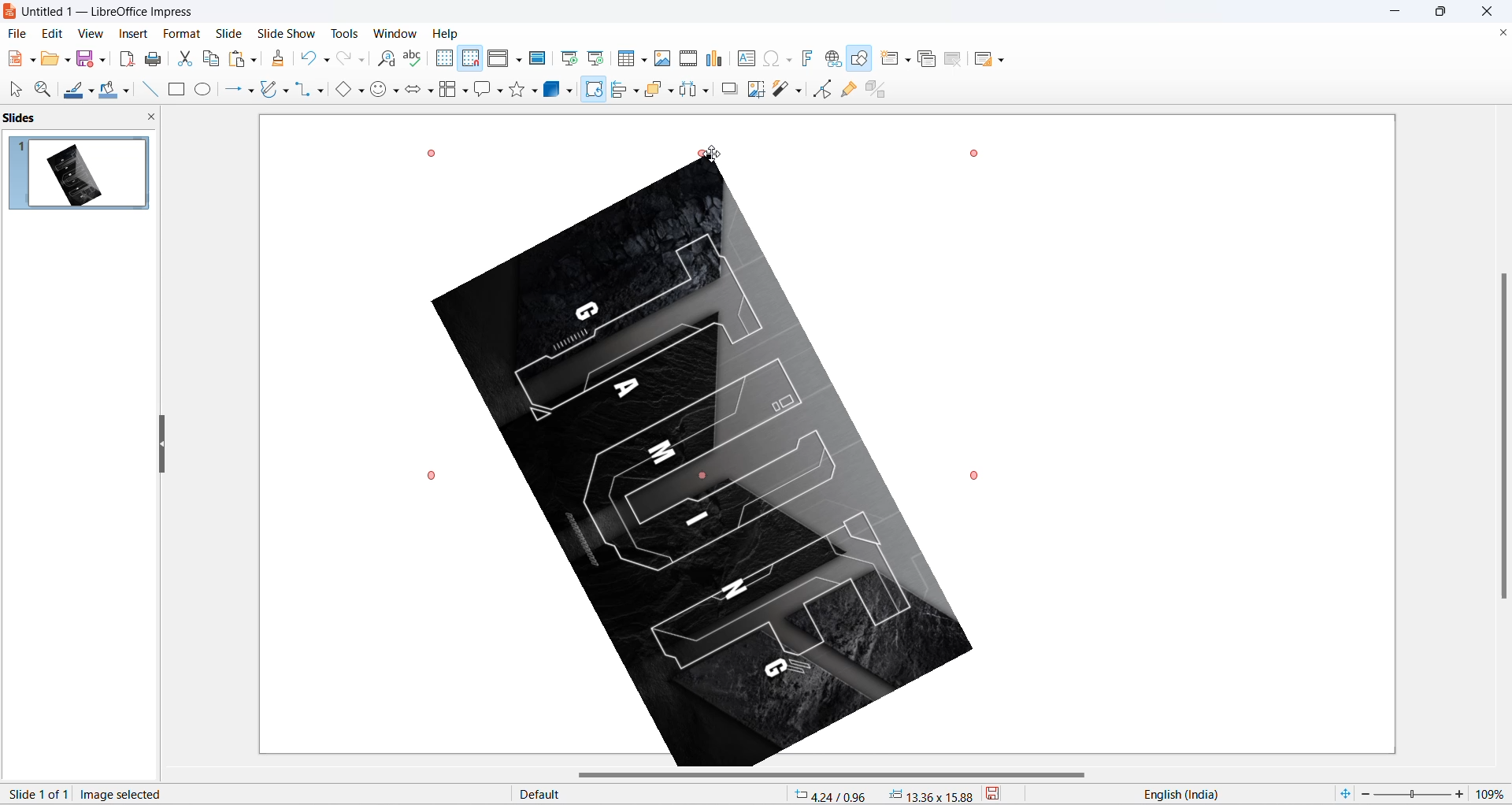 This screenshot has width=1512, height=805. I want to click on new slide, so click(890, 58).